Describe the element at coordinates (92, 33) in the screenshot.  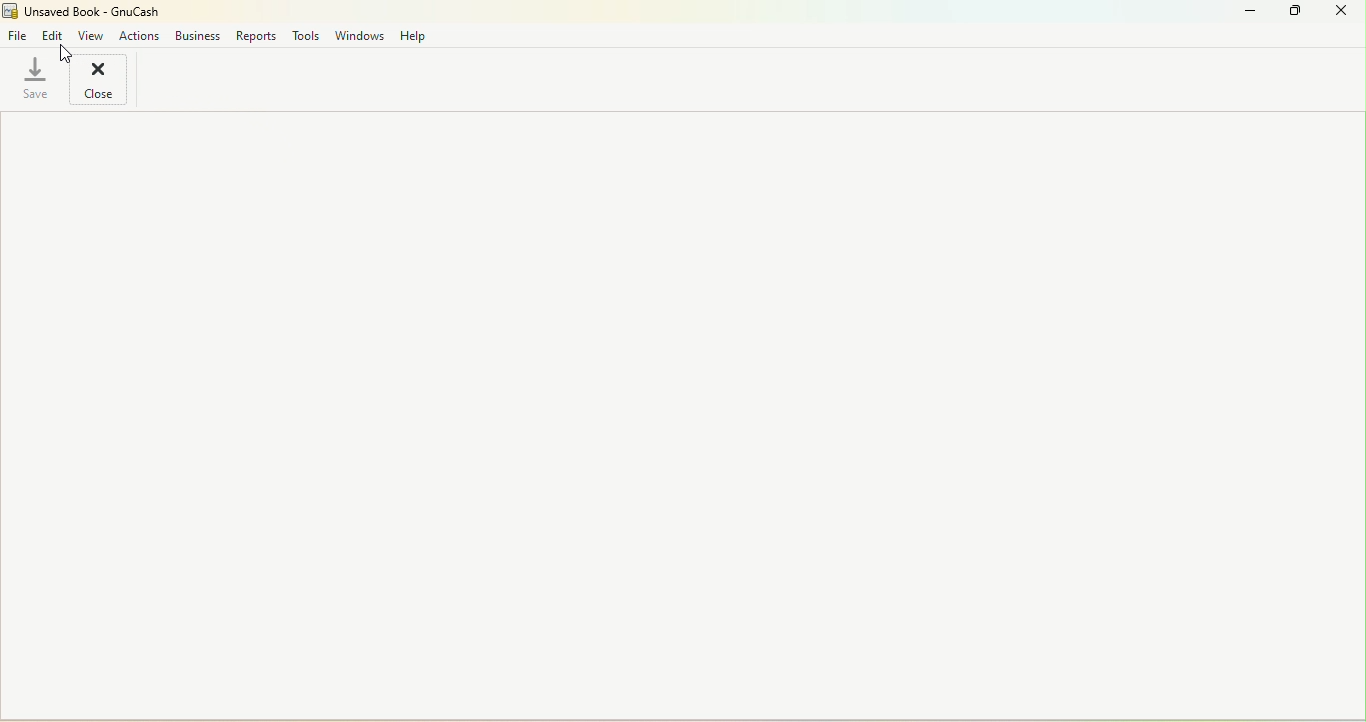
I see `View` at that location.